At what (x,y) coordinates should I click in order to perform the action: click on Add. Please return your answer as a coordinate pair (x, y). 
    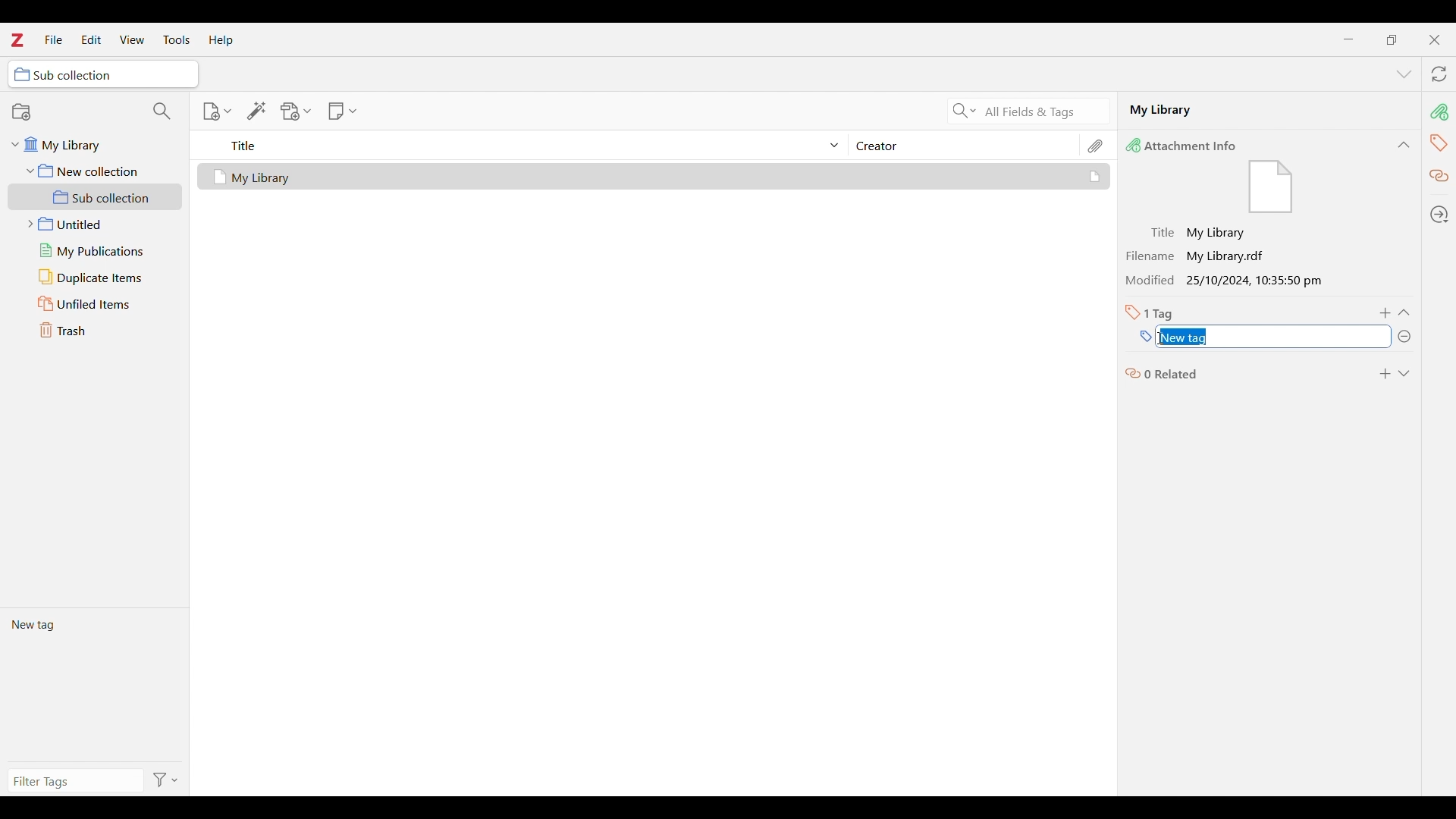
    Looking at the image, I should click on (1385, 374).